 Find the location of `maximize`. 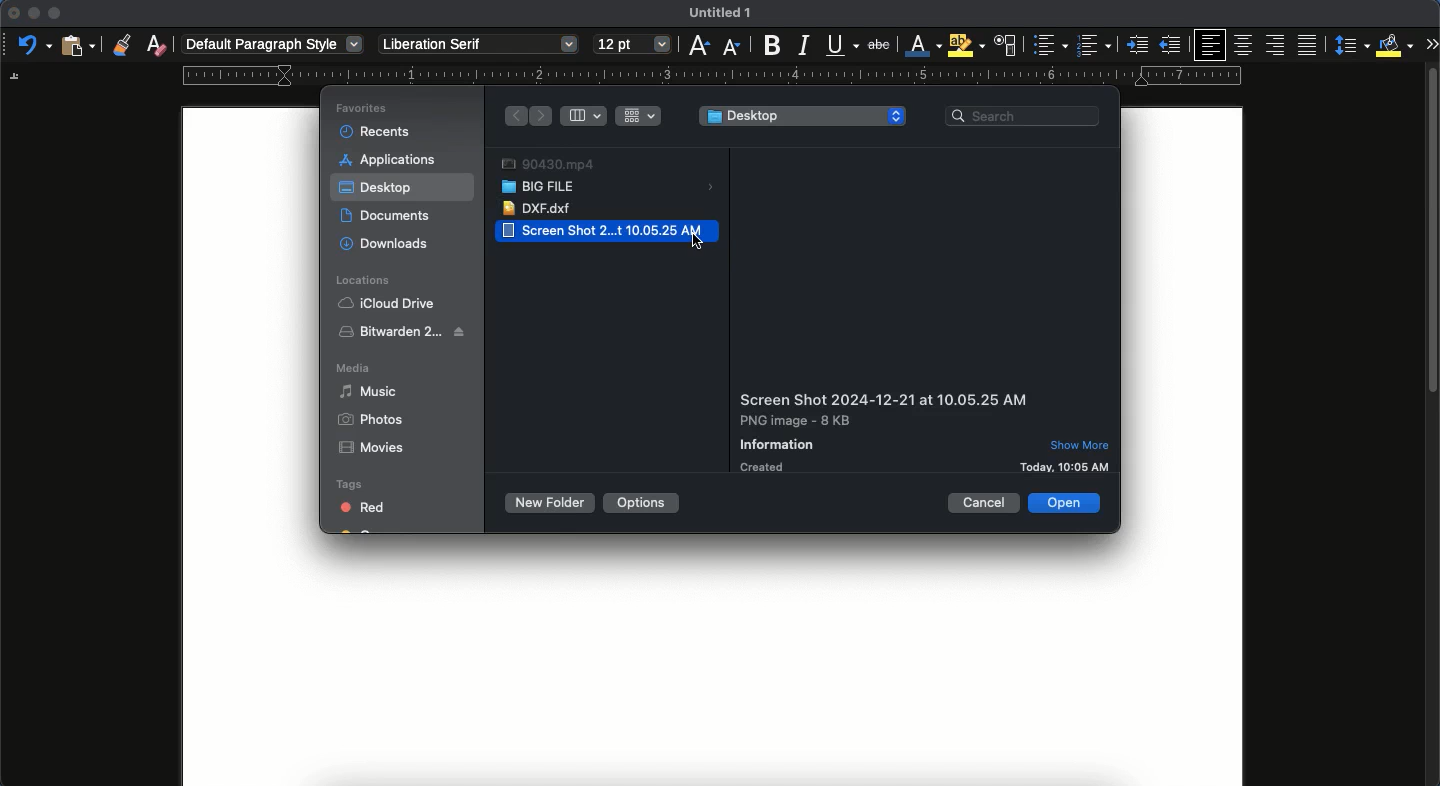

maximize is located at coordinates (56, 12).